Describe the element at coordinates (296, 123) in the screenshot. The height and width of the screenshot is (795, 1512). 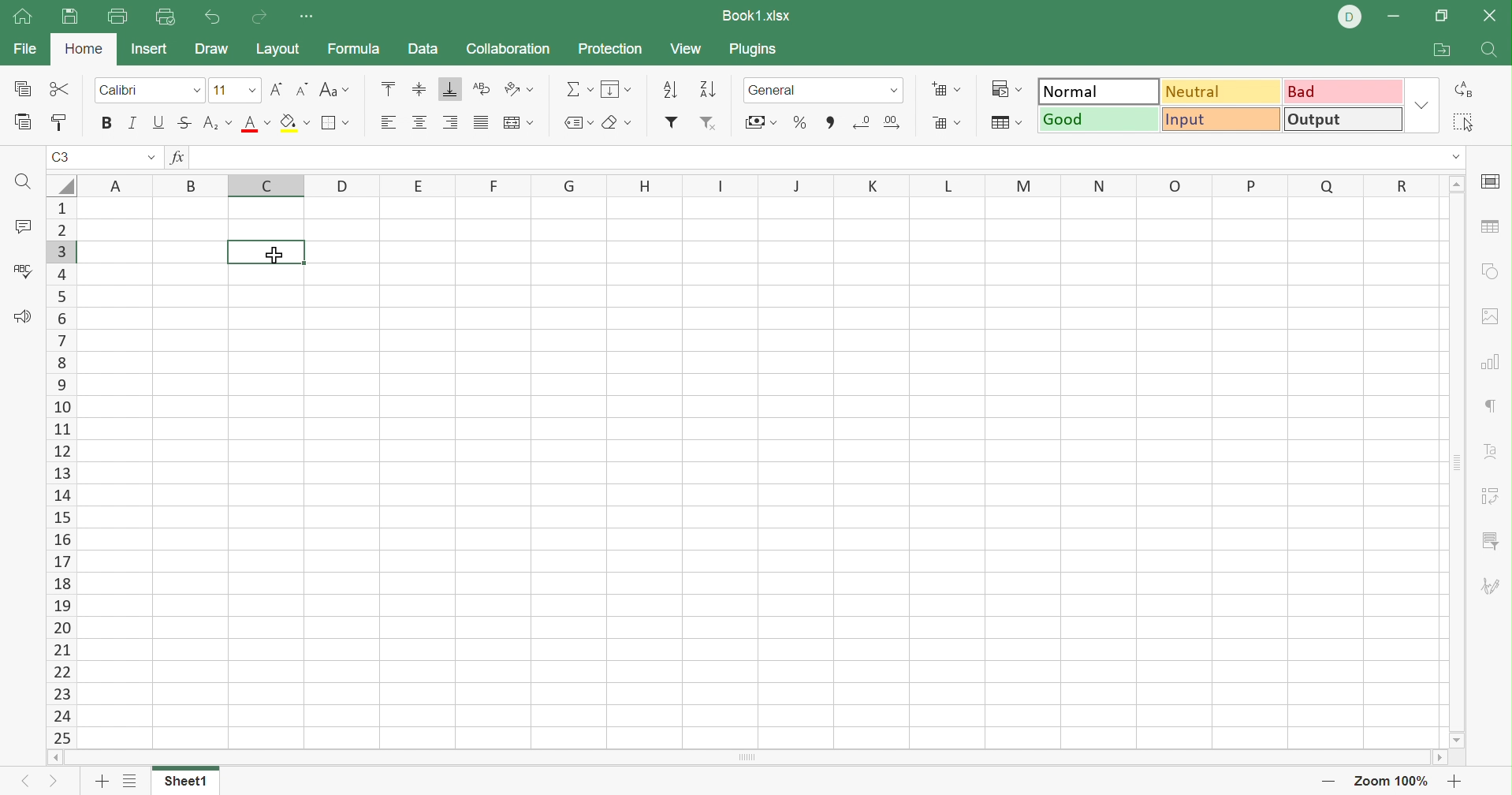
I see `Fill color` at that location.